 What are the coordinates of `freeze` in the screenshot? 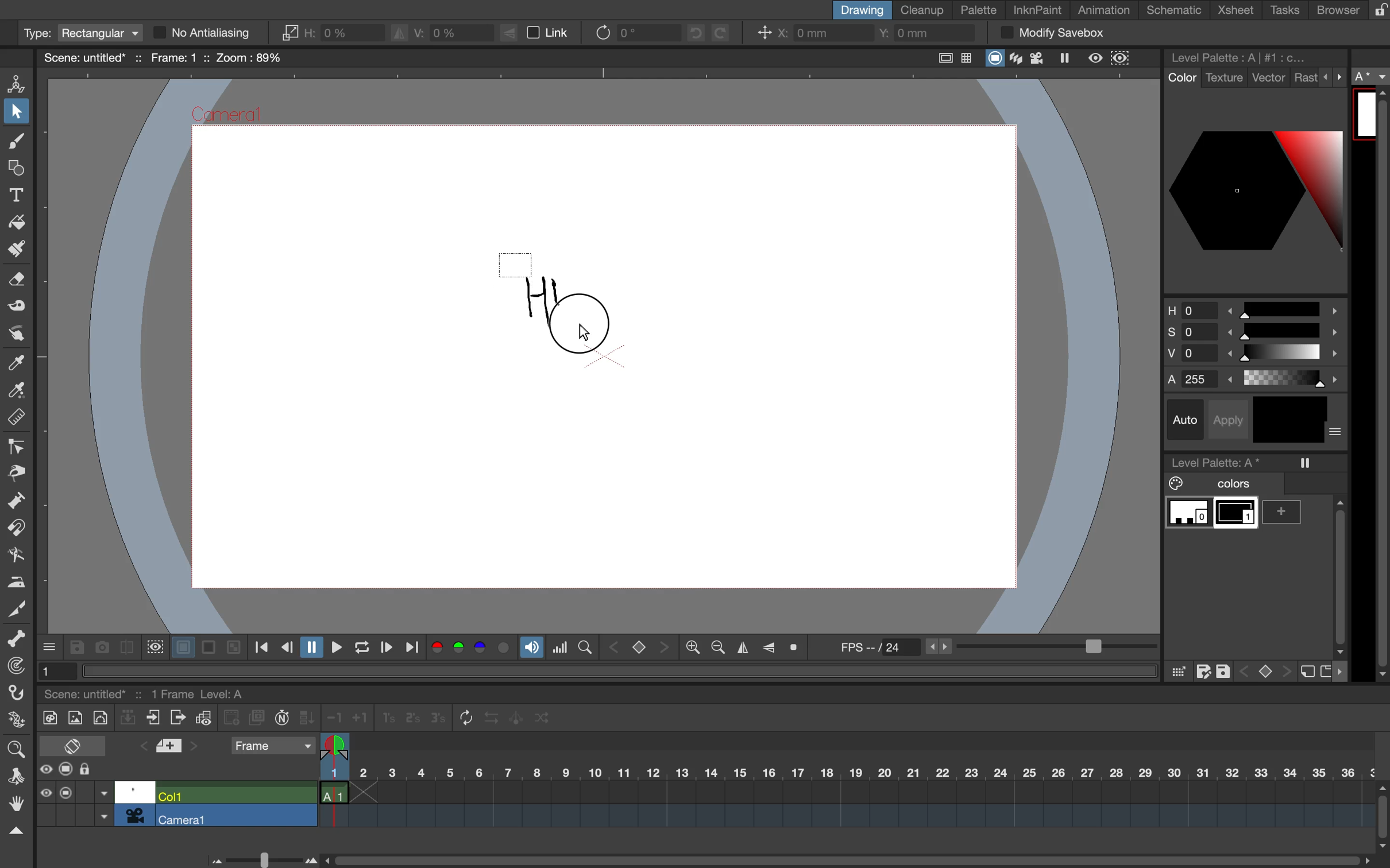 It's located at (1069, 60).